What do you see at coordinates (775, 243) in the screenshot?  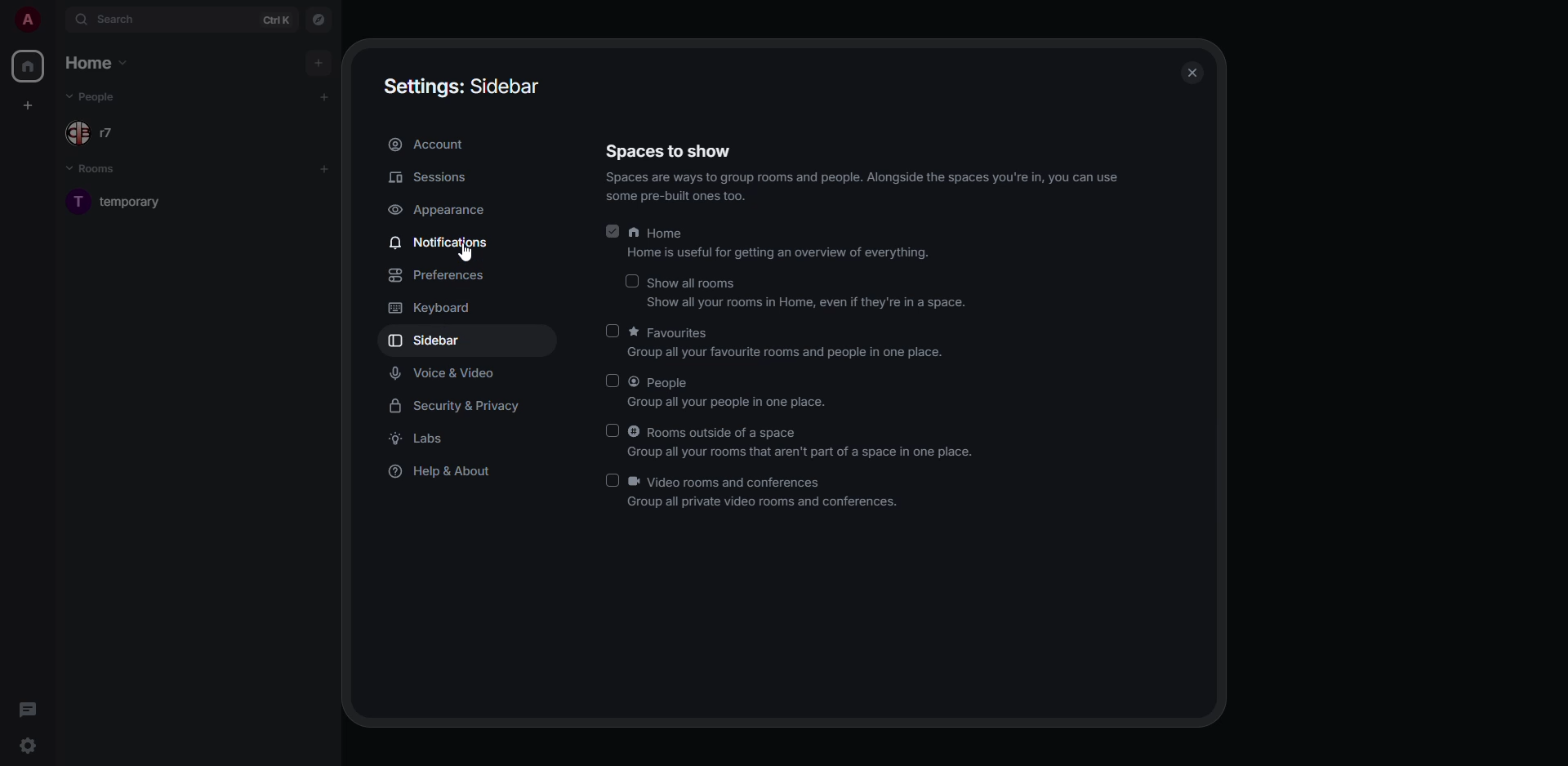 I see `home` at bounding box center [775, 243].